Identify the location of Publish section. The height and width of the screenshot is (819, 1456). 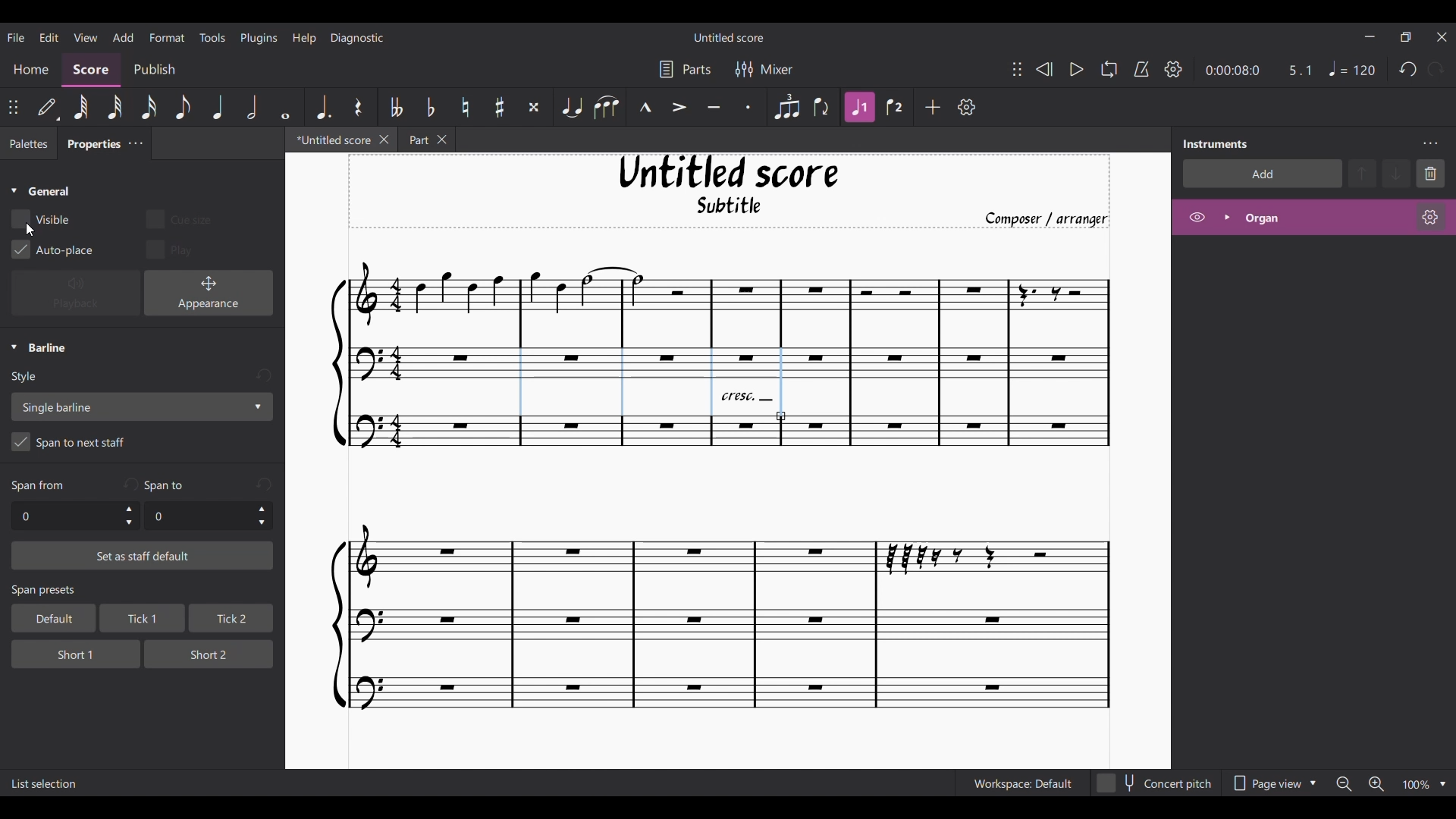
(154, 70).